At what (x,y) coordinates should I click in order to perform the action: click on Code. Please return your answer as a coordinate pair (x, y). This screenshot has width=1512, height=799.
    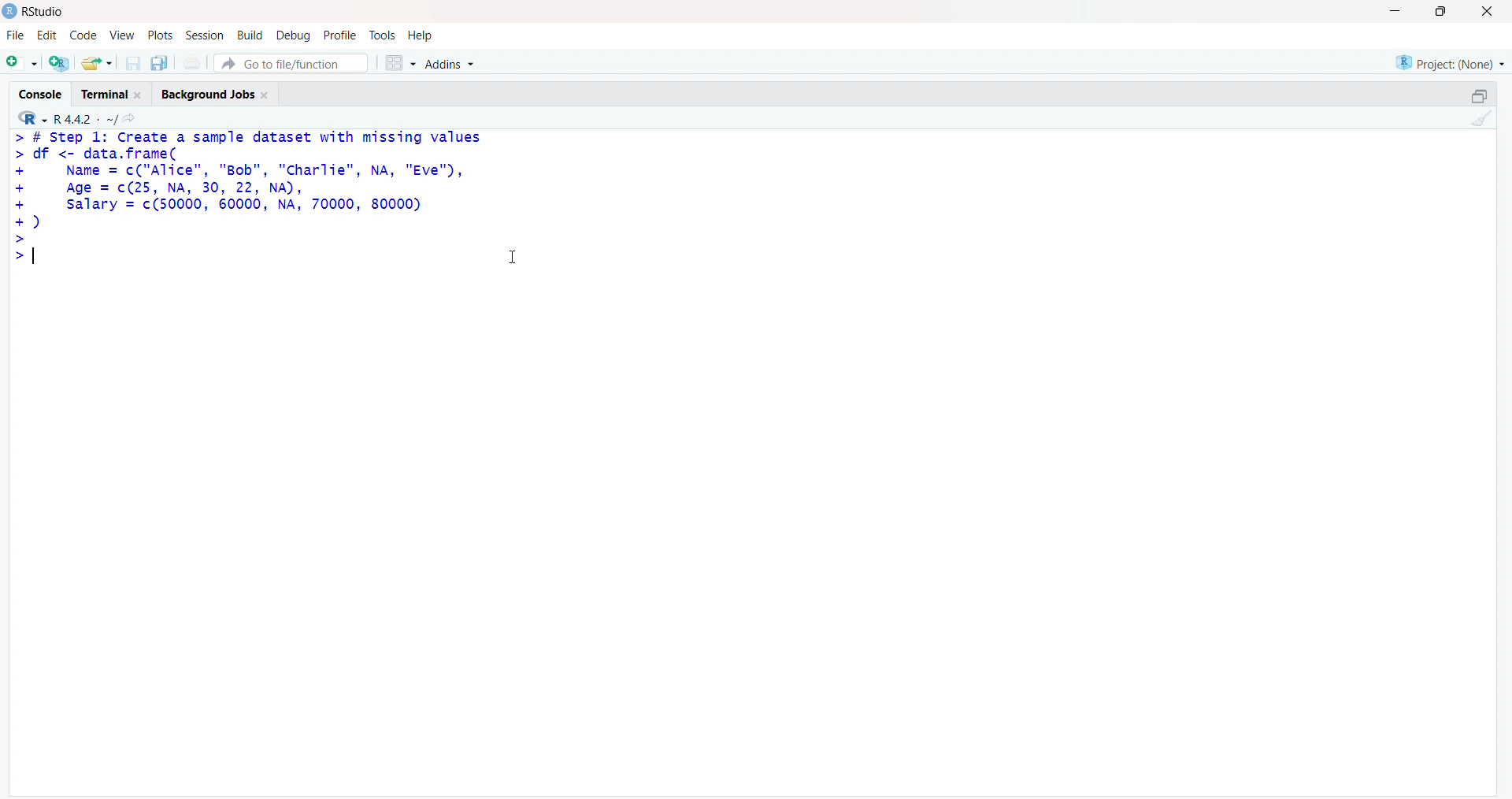
    Looking at the image, I should click on (80, 35).